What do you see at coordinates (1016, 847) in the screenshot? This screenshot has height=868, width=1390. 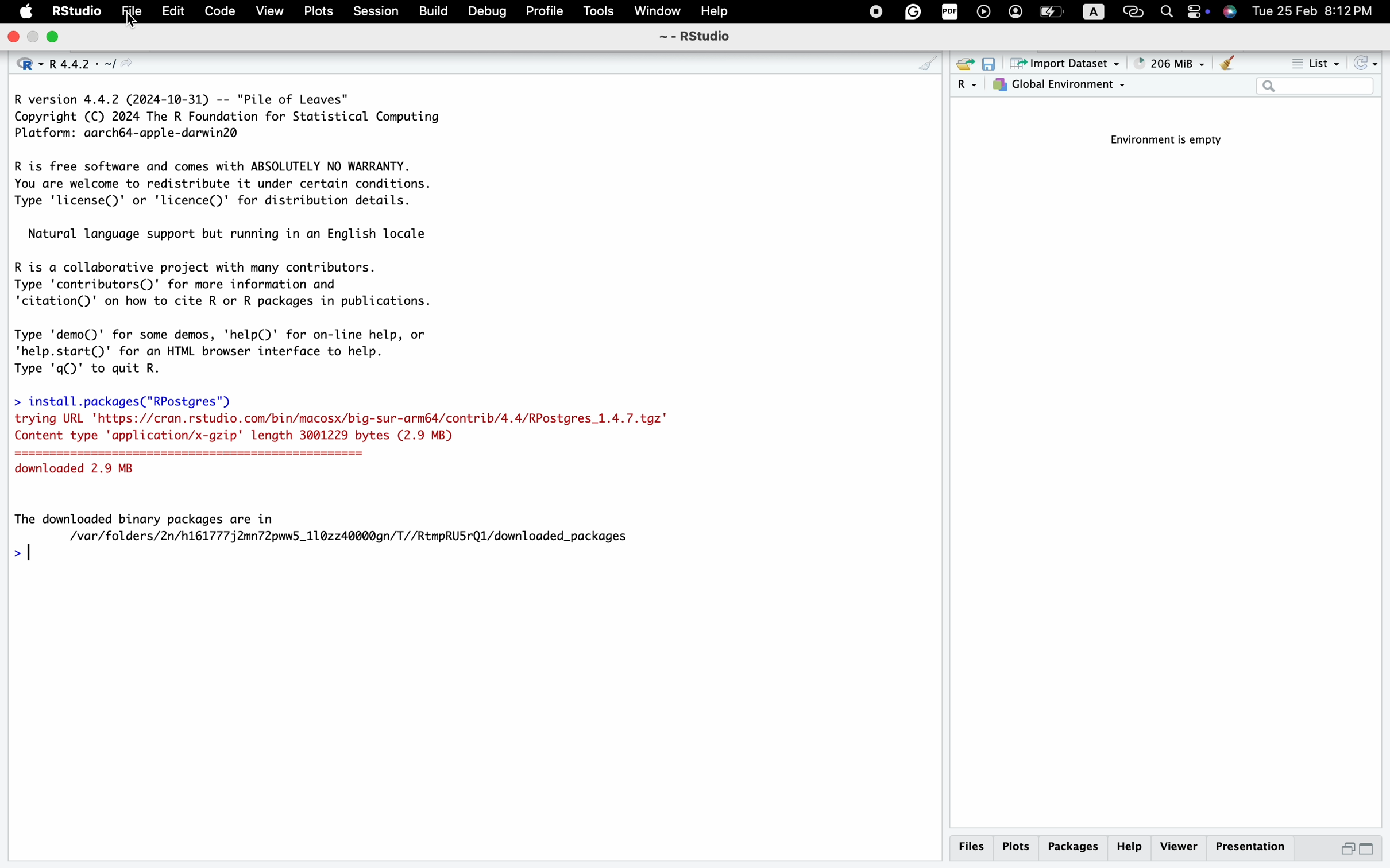 I see `plots` at bounding box center [1016, 847].